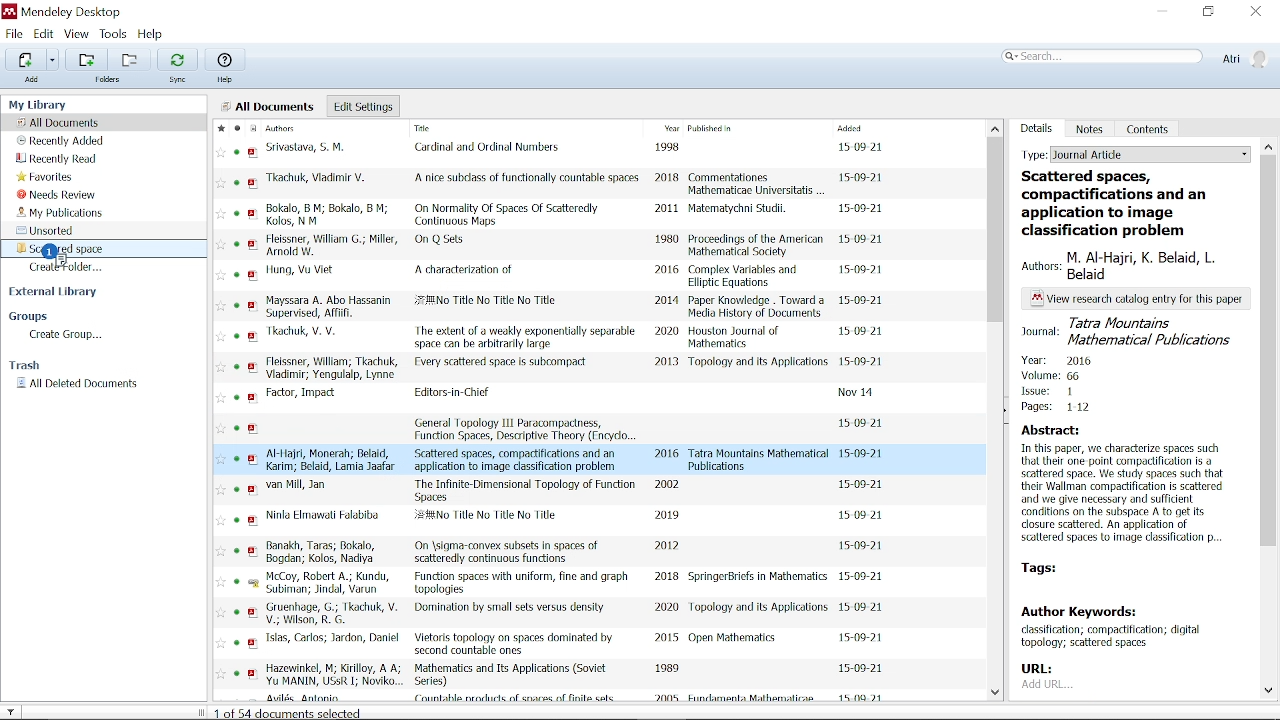 The width and height of the screenshot is (1280, 720). Describe the element at coordinates (464, 130) in the screenshot. I see `Title` at that location.